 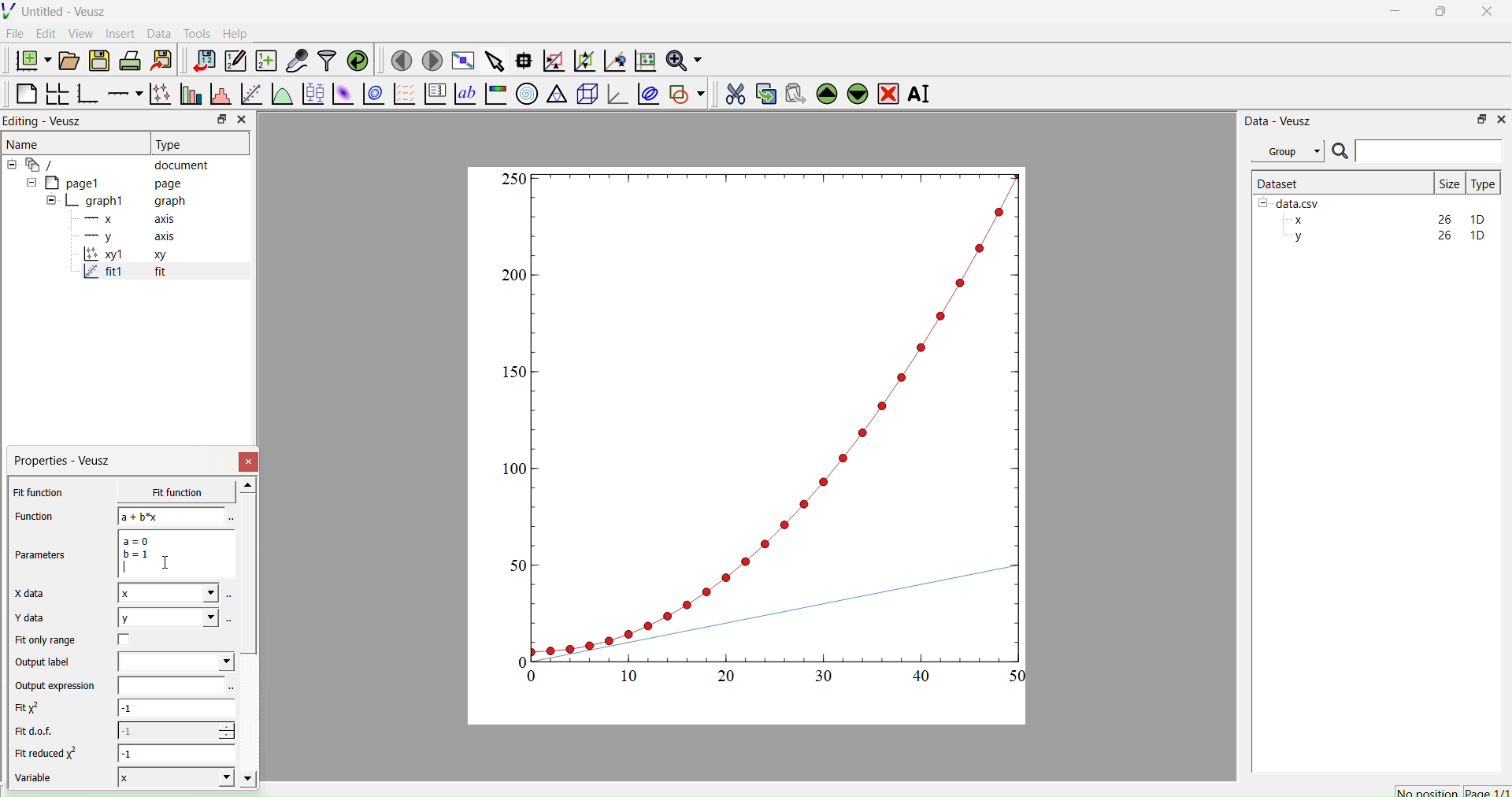 I want to click on x axis, so click(x=128, y=217).